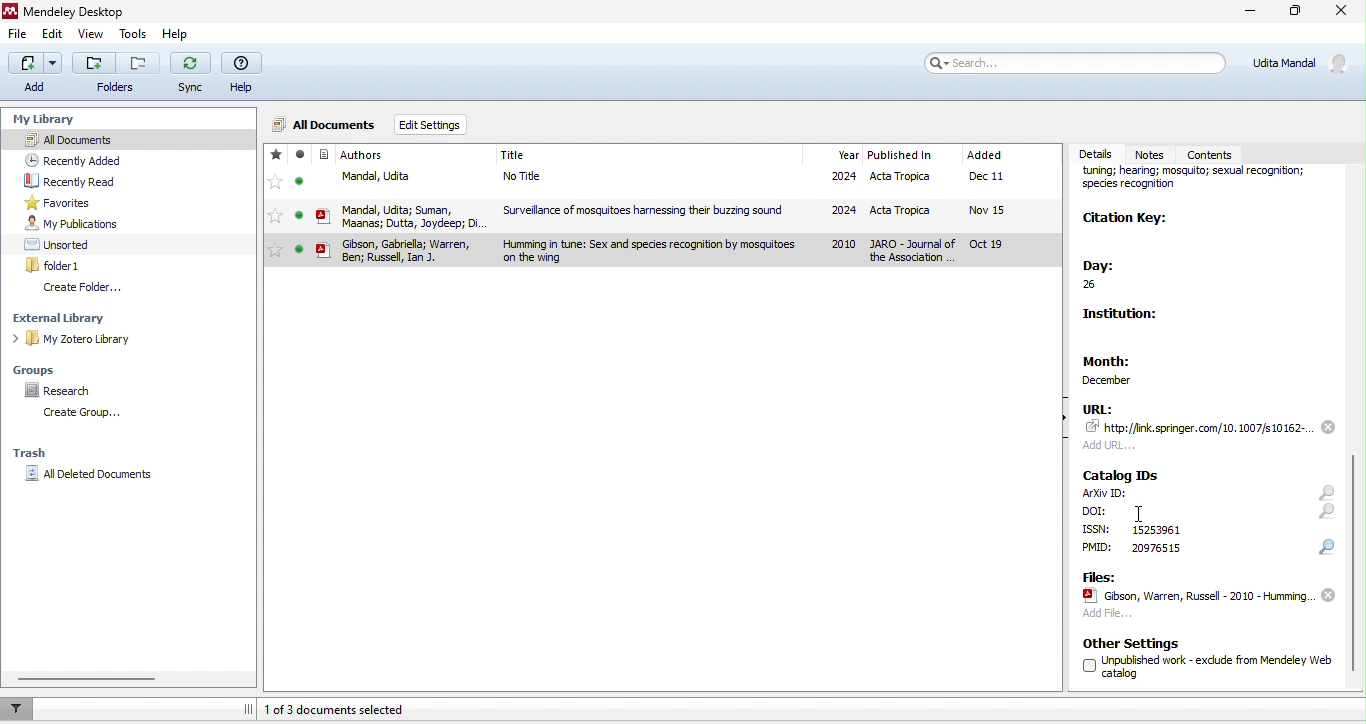 The width and height of the screenshot is (1366, 724). Describe the element at coordinates (91, 36) in the screenshot. I see `view` at that location.